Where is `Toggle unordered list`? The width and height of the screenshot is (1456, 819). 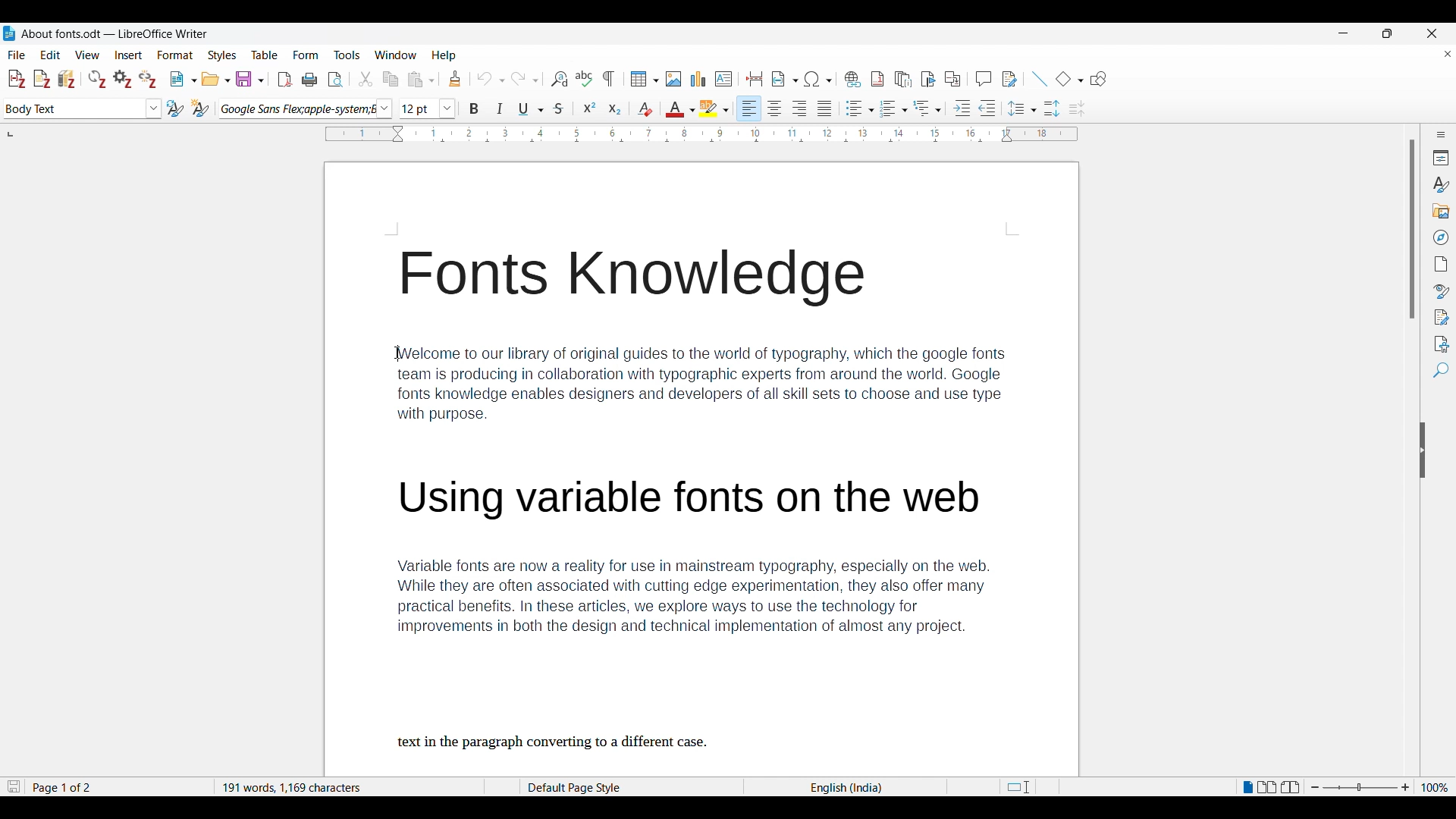 Toggle unordered list is located at coordinates (860, 108).